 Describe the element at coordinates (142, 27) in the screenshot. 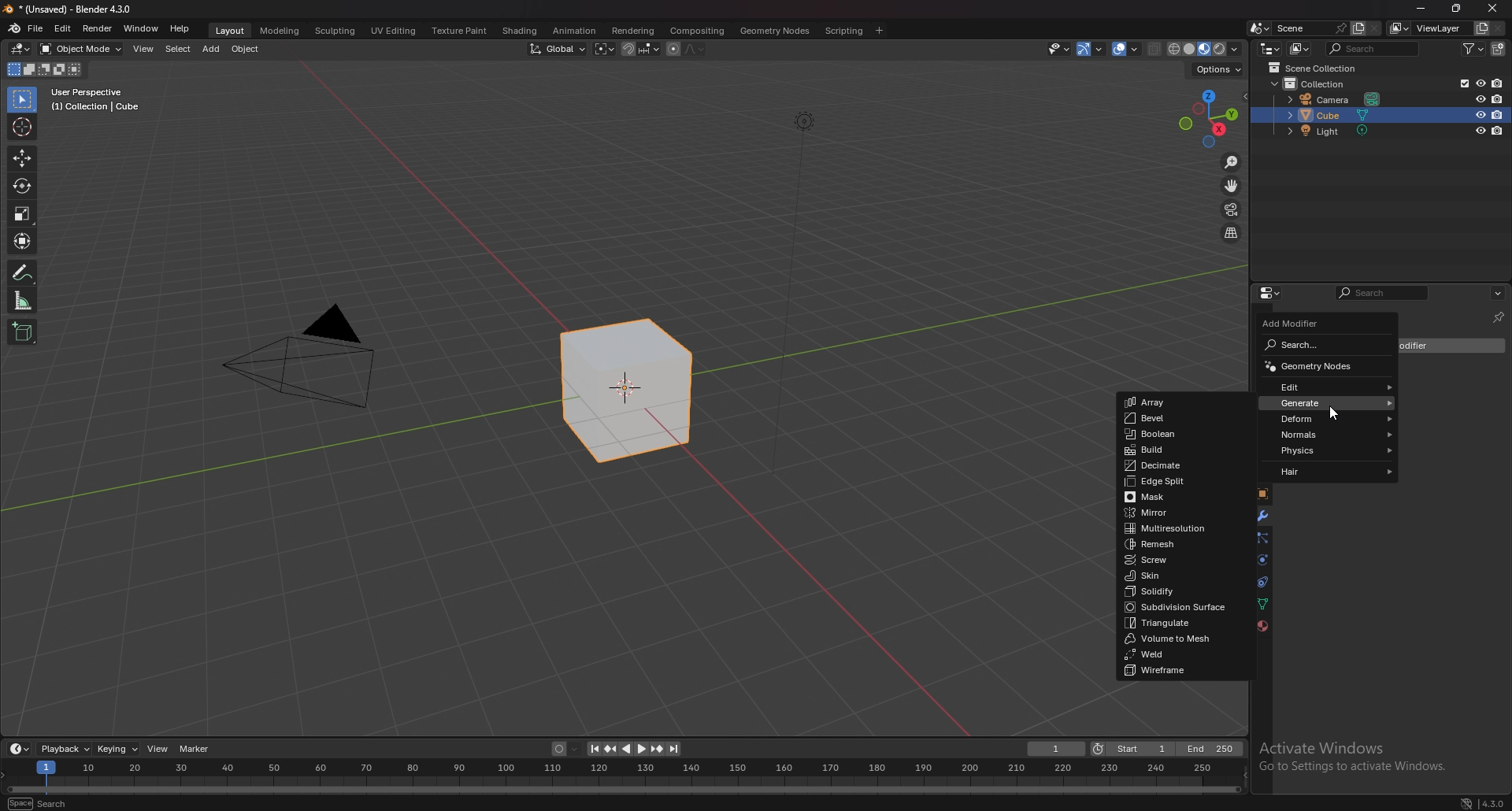

I see `window` at that location.